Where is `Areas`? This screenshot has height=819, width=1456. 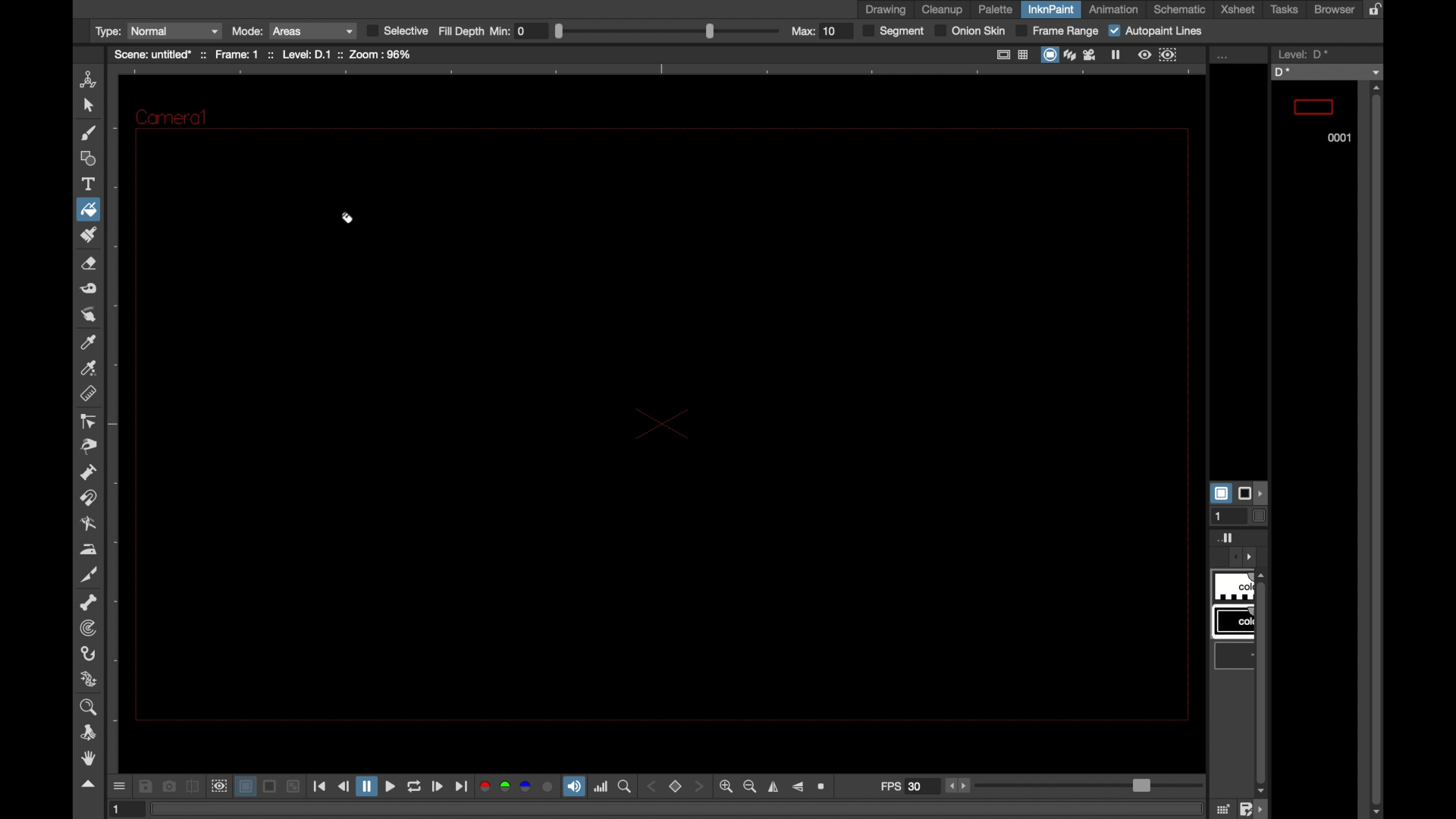 Areas is located at coordinates (312, 30).